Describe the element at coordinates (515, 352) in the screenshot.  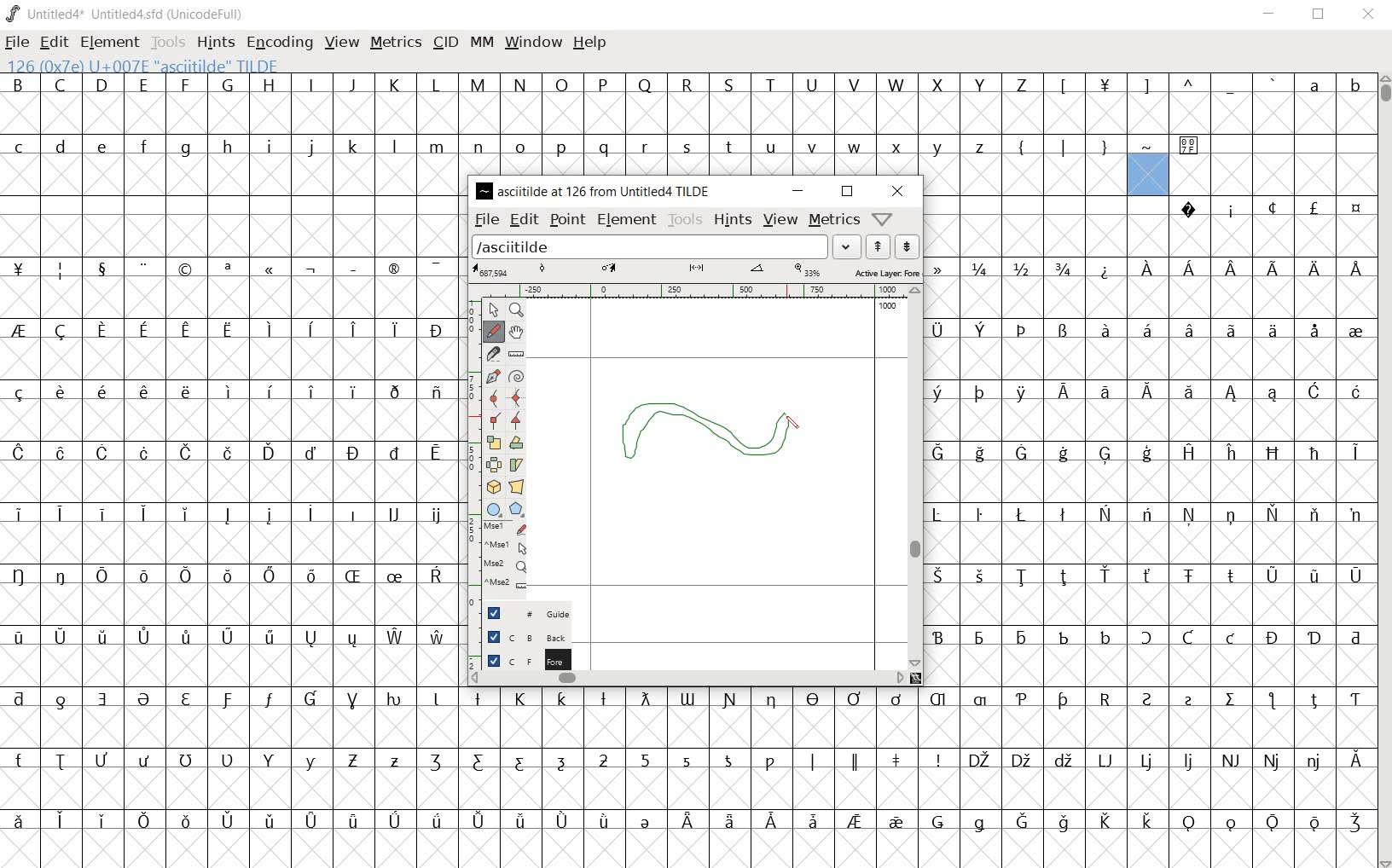
I see `measure a distance, angle between points` at that location.